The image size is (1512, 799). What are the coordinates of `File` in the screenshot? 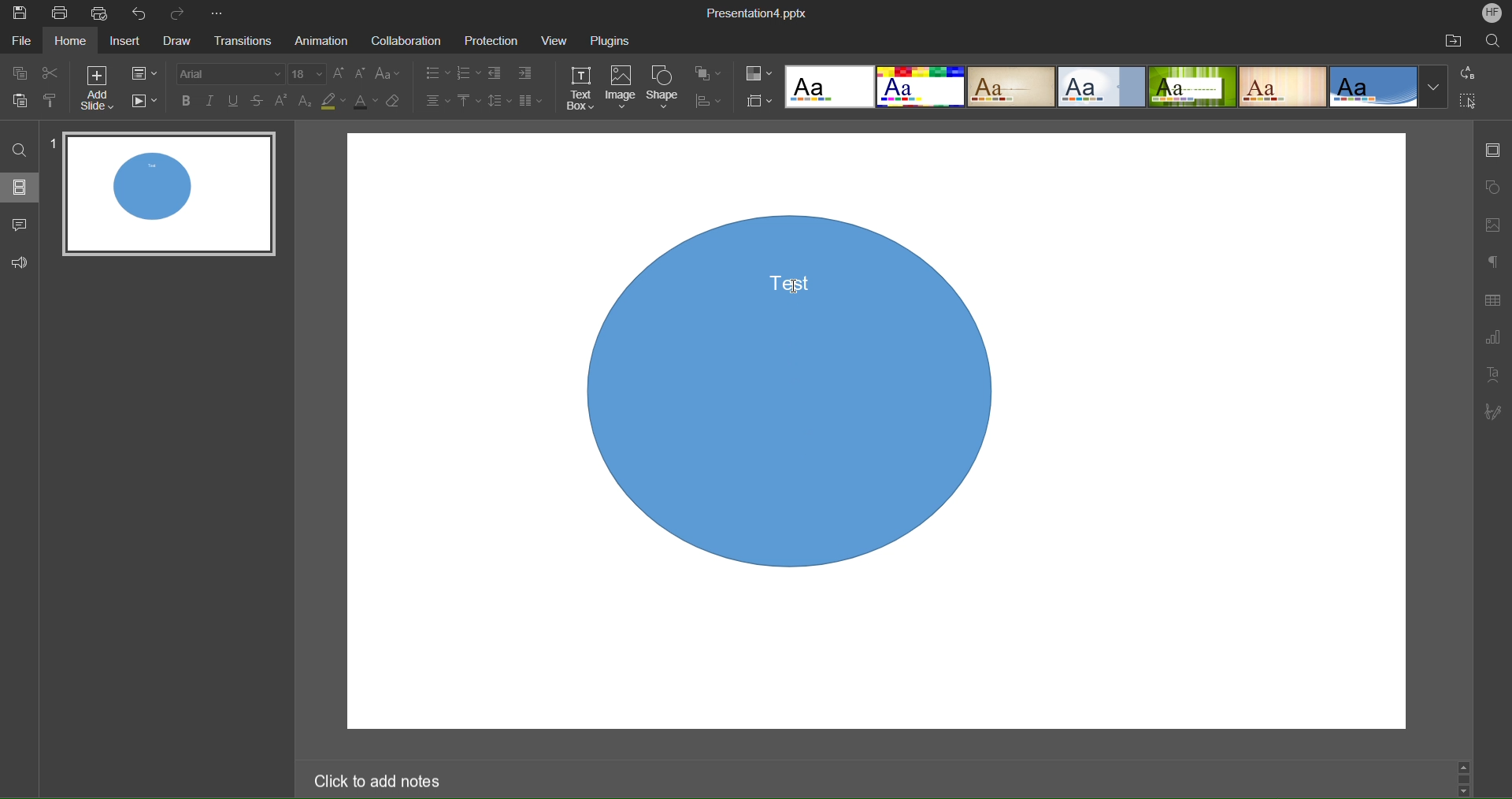 It's located at (20, 42).